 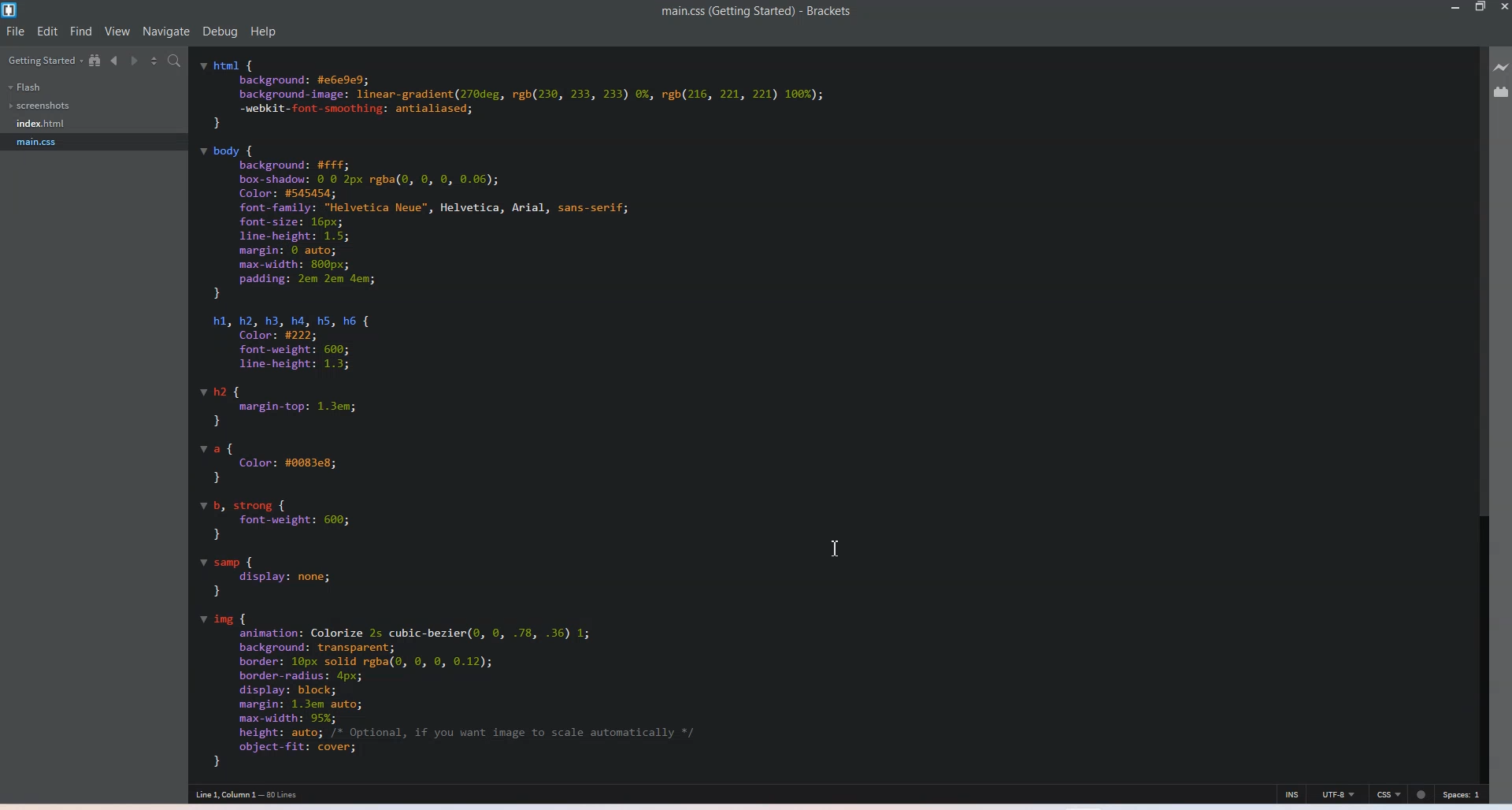 I want to click on main.css(getting started) - Brackets, so click(x=769, y=12).